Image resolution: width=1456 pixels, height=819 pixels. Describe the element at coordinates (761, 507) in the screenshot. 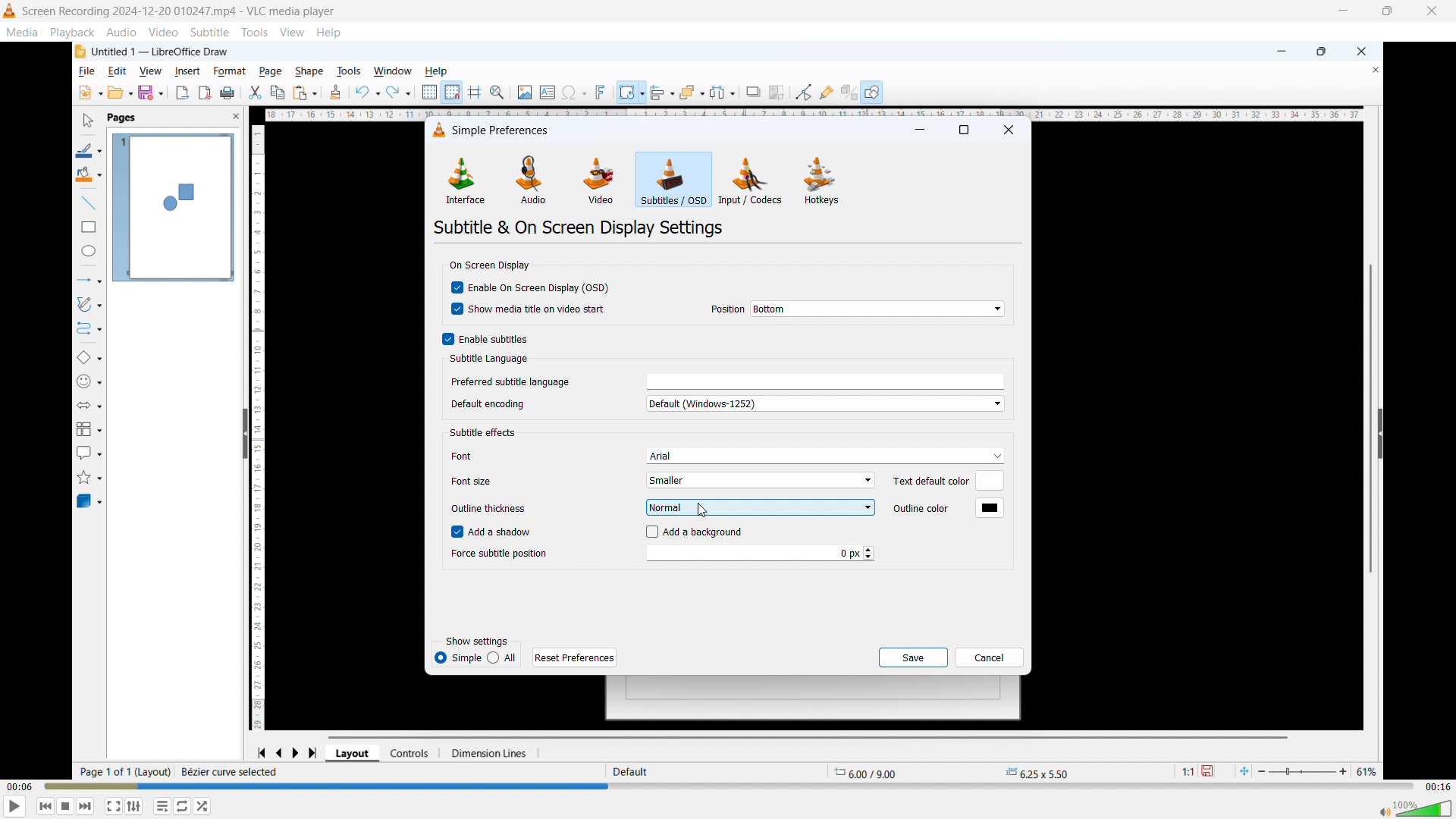

I see `Set subtitle outline thickness ` at that location.